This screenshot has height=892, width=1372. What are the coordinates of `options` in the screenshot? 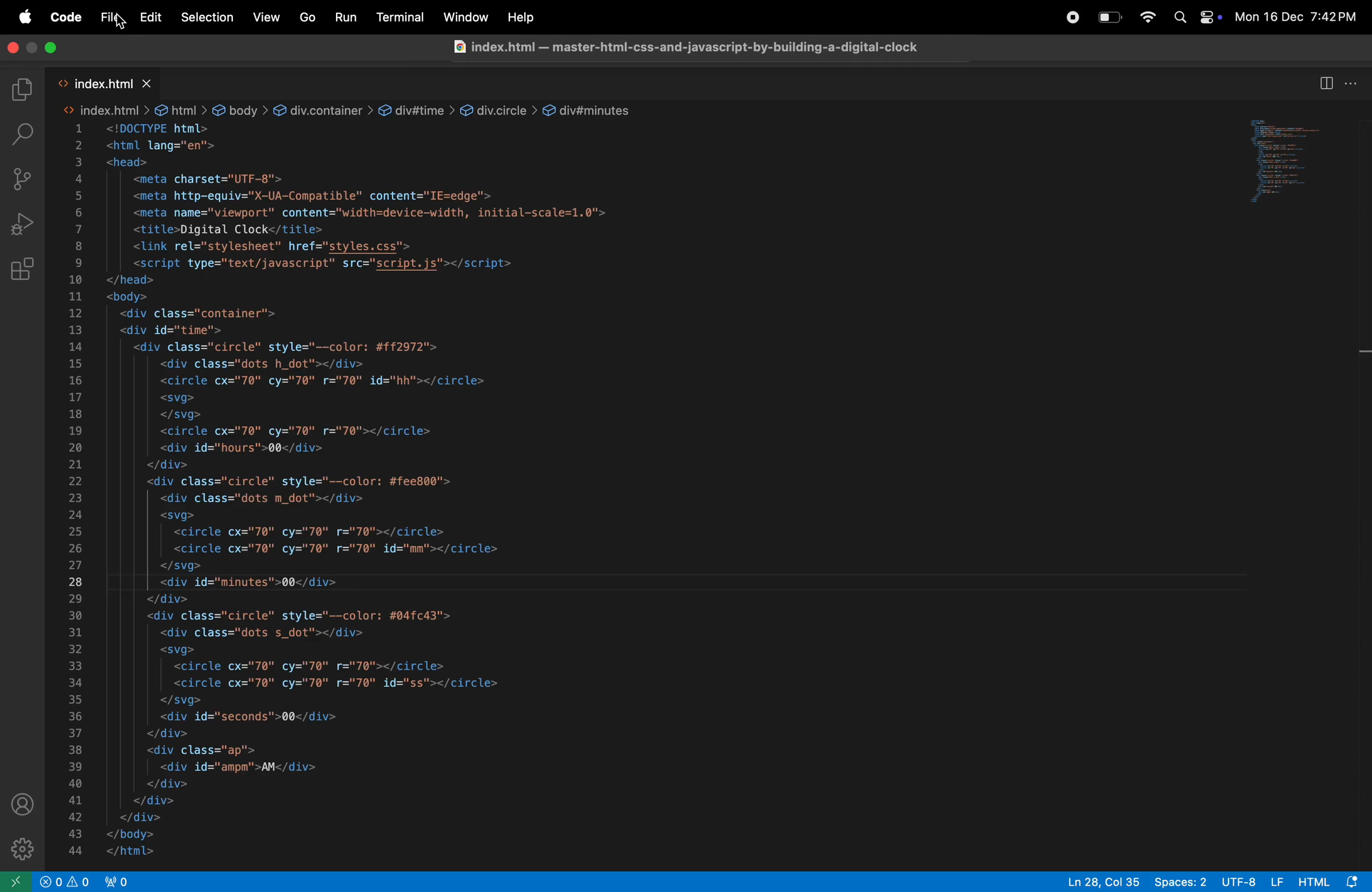 It's located at (1352, 82).